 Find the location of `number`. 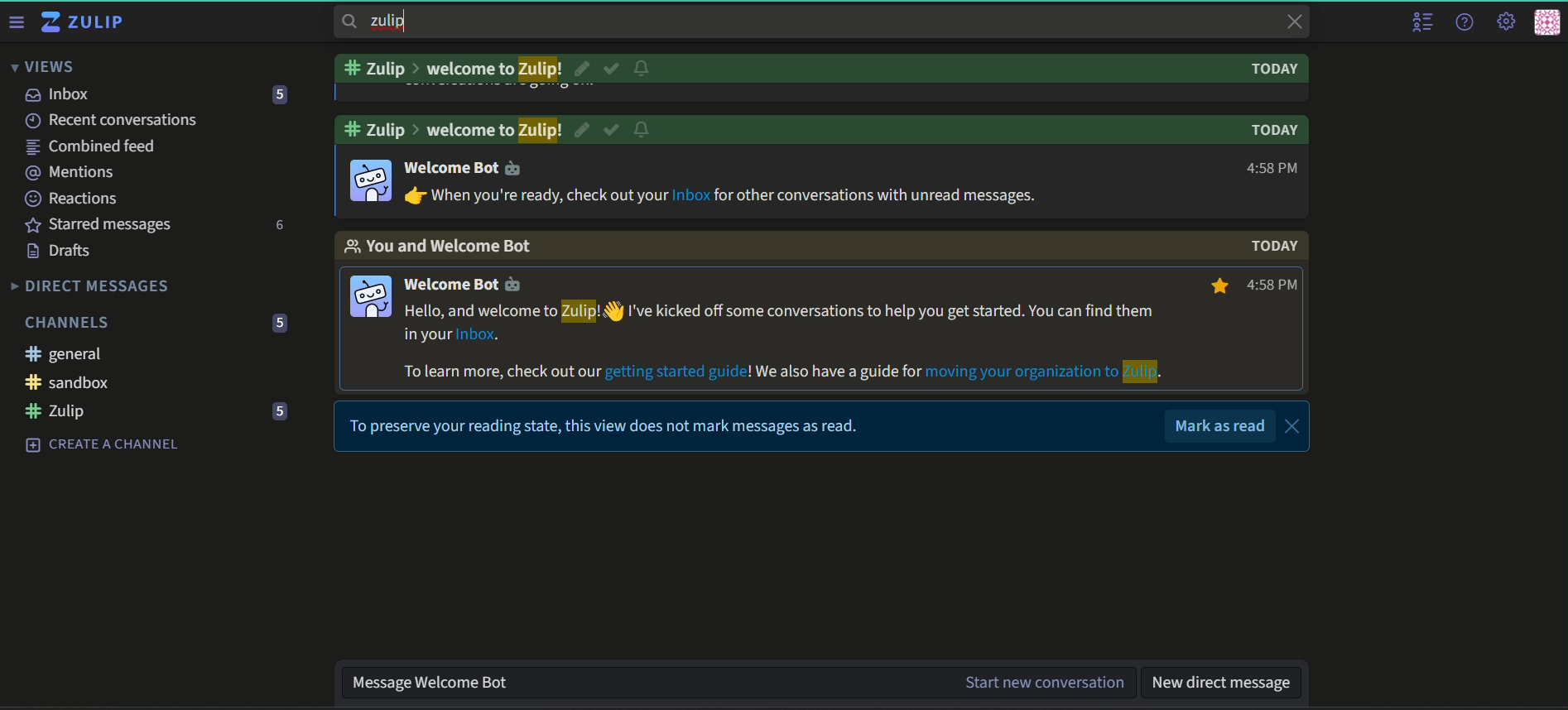

number is located at coordinates (281, 226).